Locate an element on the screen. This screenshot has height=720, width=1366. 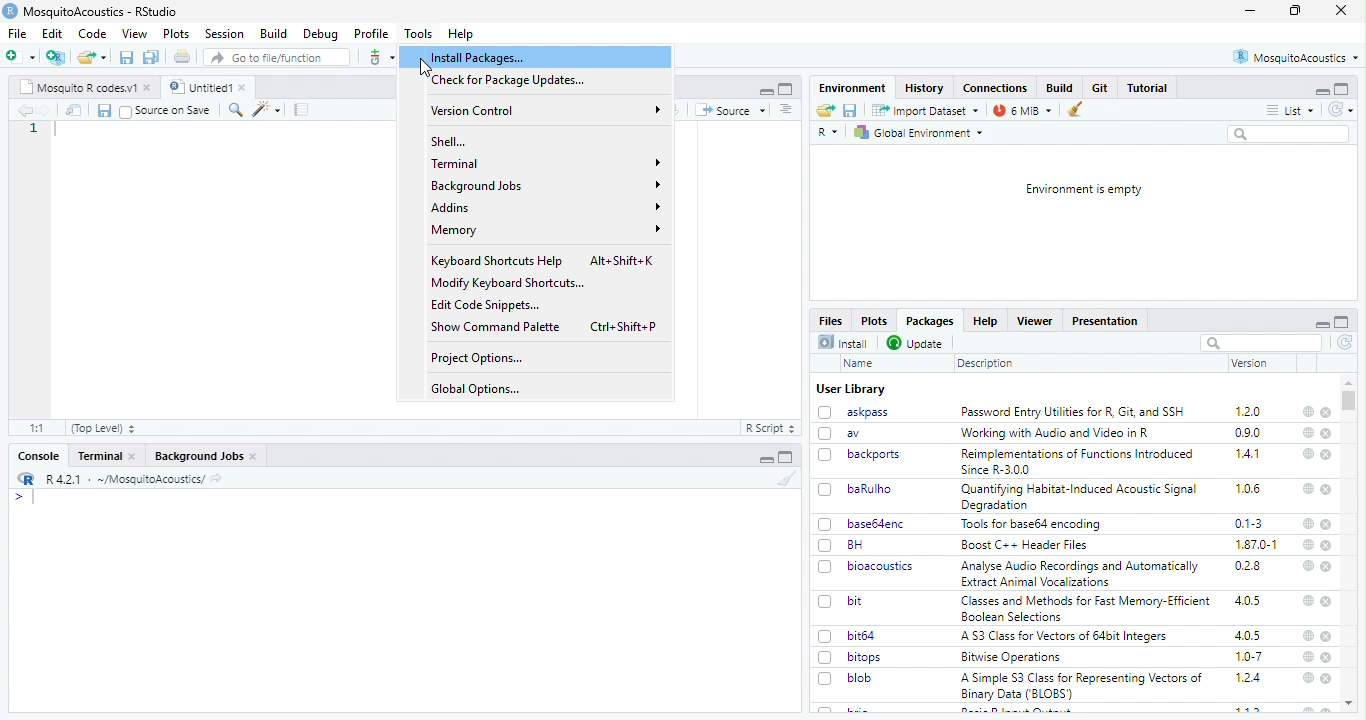
Packages is located at coordinates (931, 321).